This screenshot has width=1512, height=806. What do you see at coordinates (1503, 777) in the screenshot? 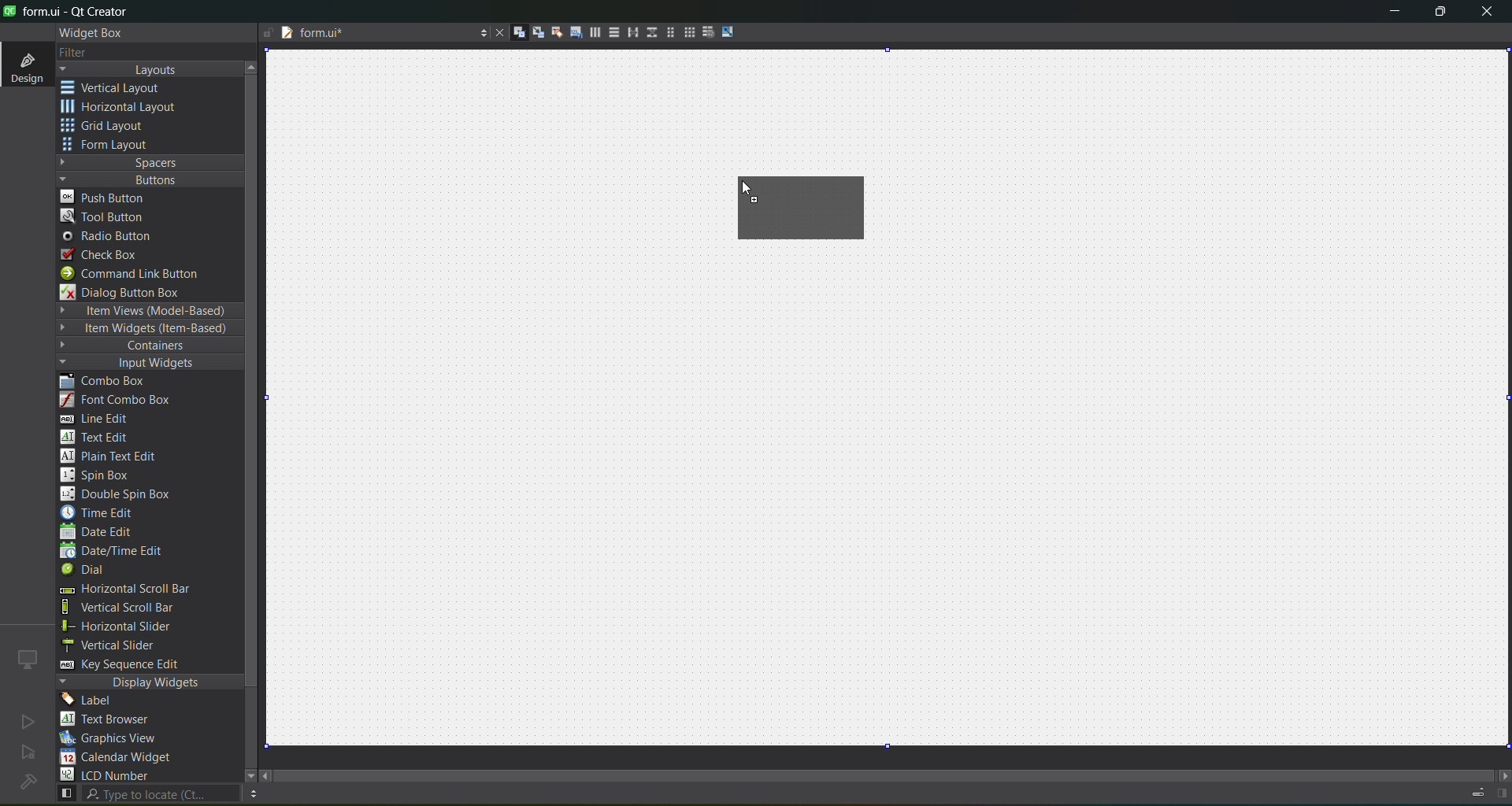
I see `move right` at bounding box center [1503, 777].